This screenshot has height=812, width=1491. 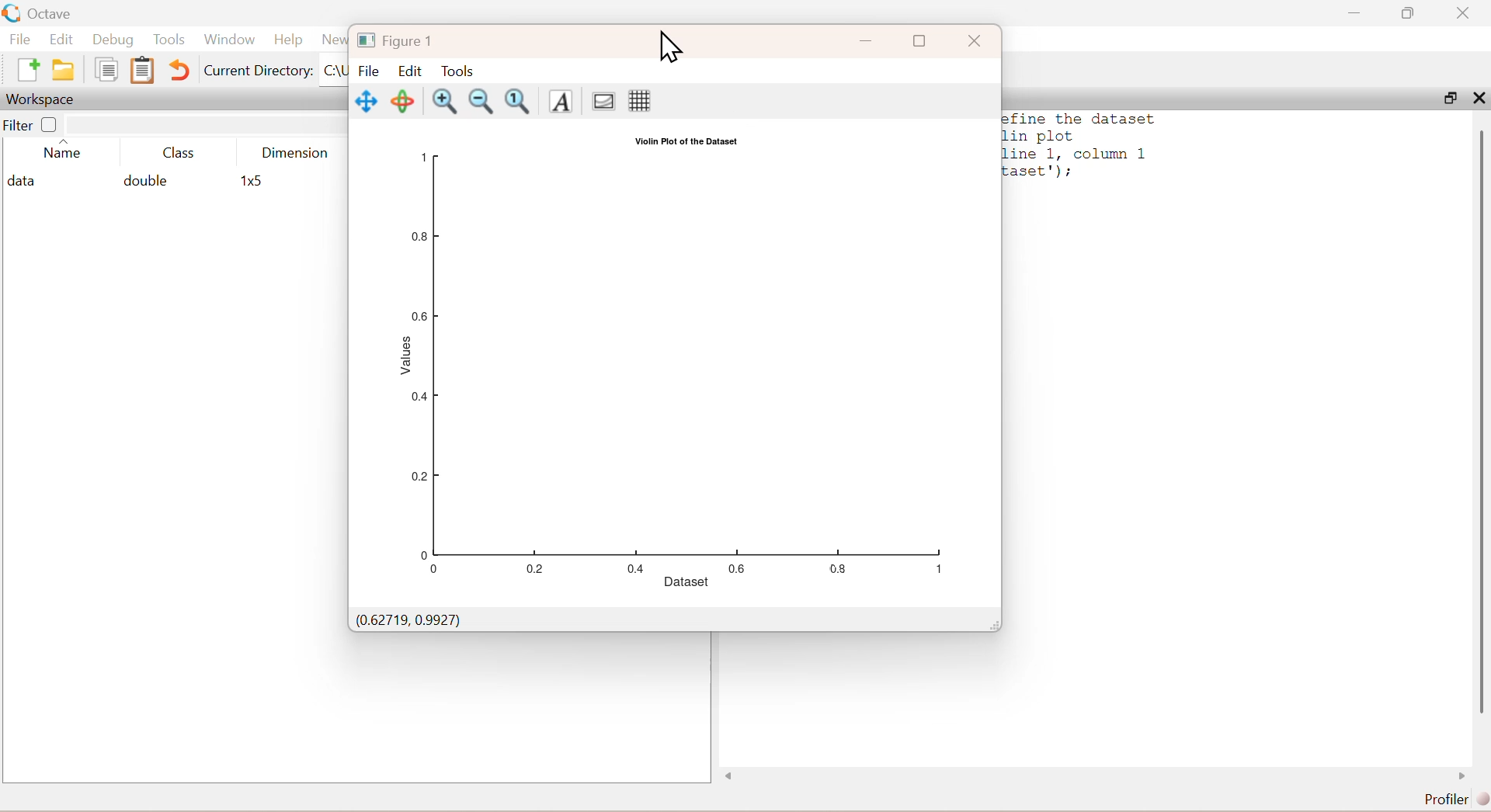 What do you see at coordinates (458, 72) in the screenshot?
I see `tools` at bounding box center [458, 72].